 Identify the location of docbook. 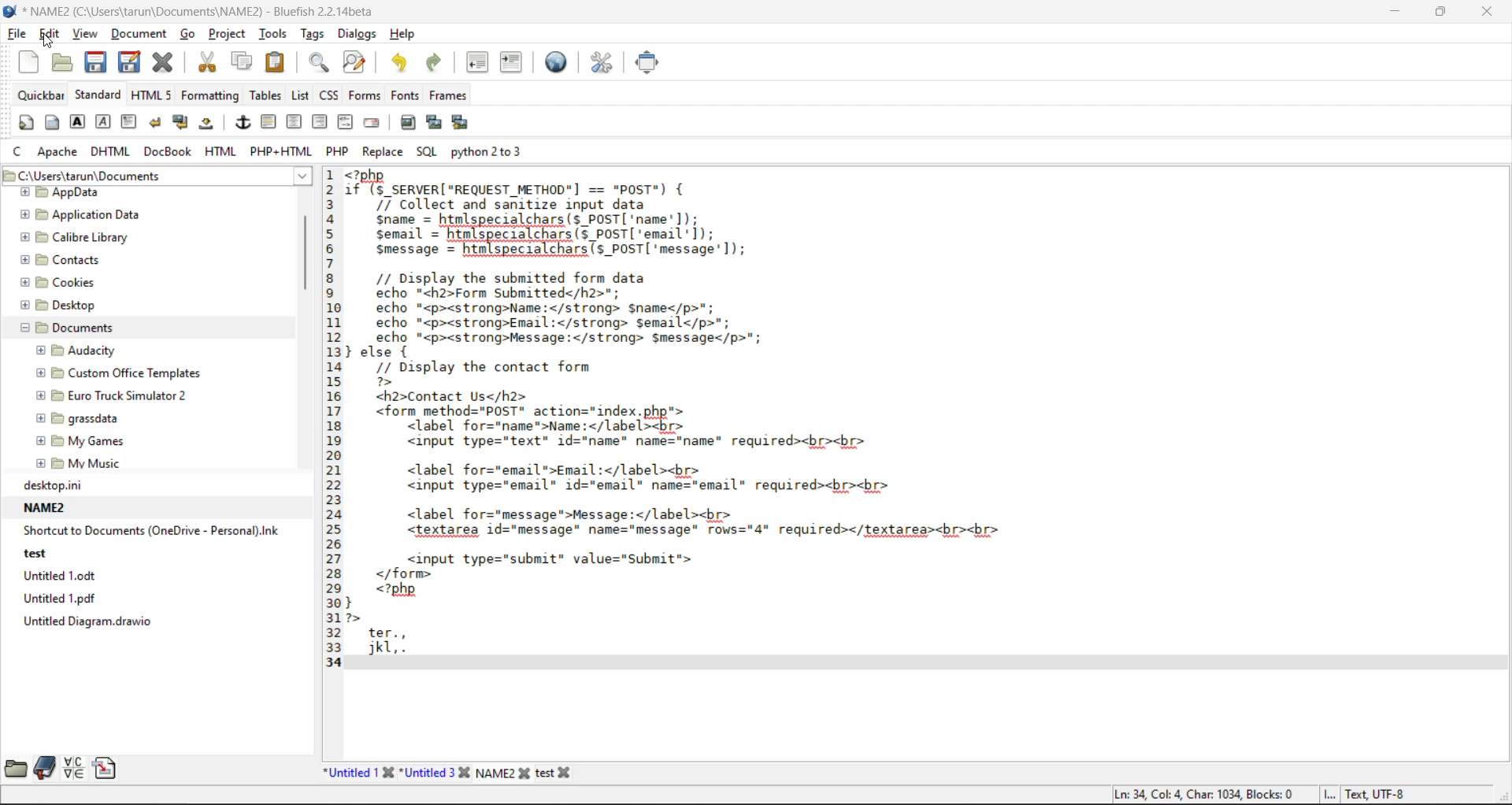
(171, 150).